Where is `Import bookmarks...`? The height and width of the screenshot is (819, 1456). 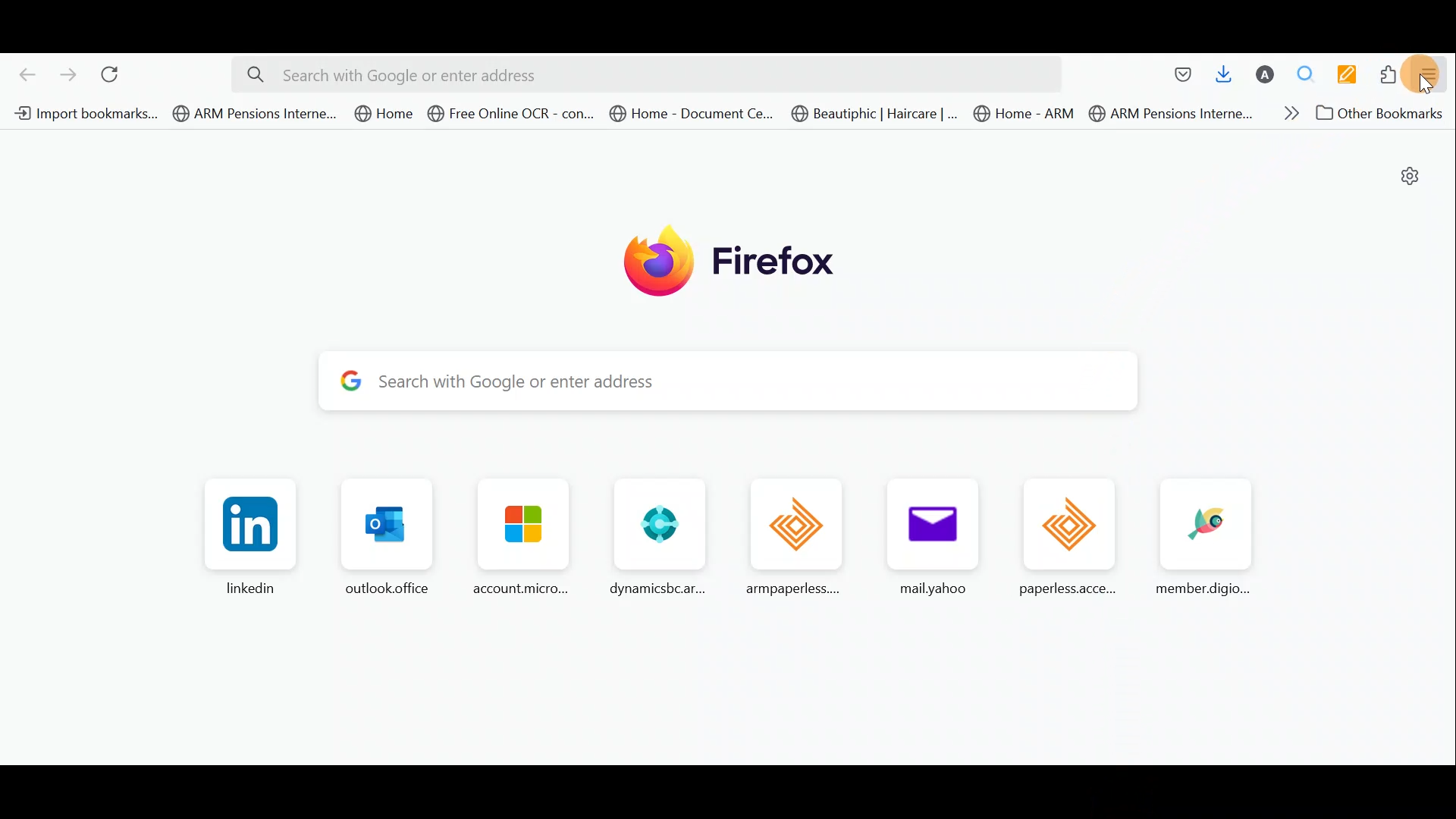 Import bookmarks... is located at coordinates (83, 113).